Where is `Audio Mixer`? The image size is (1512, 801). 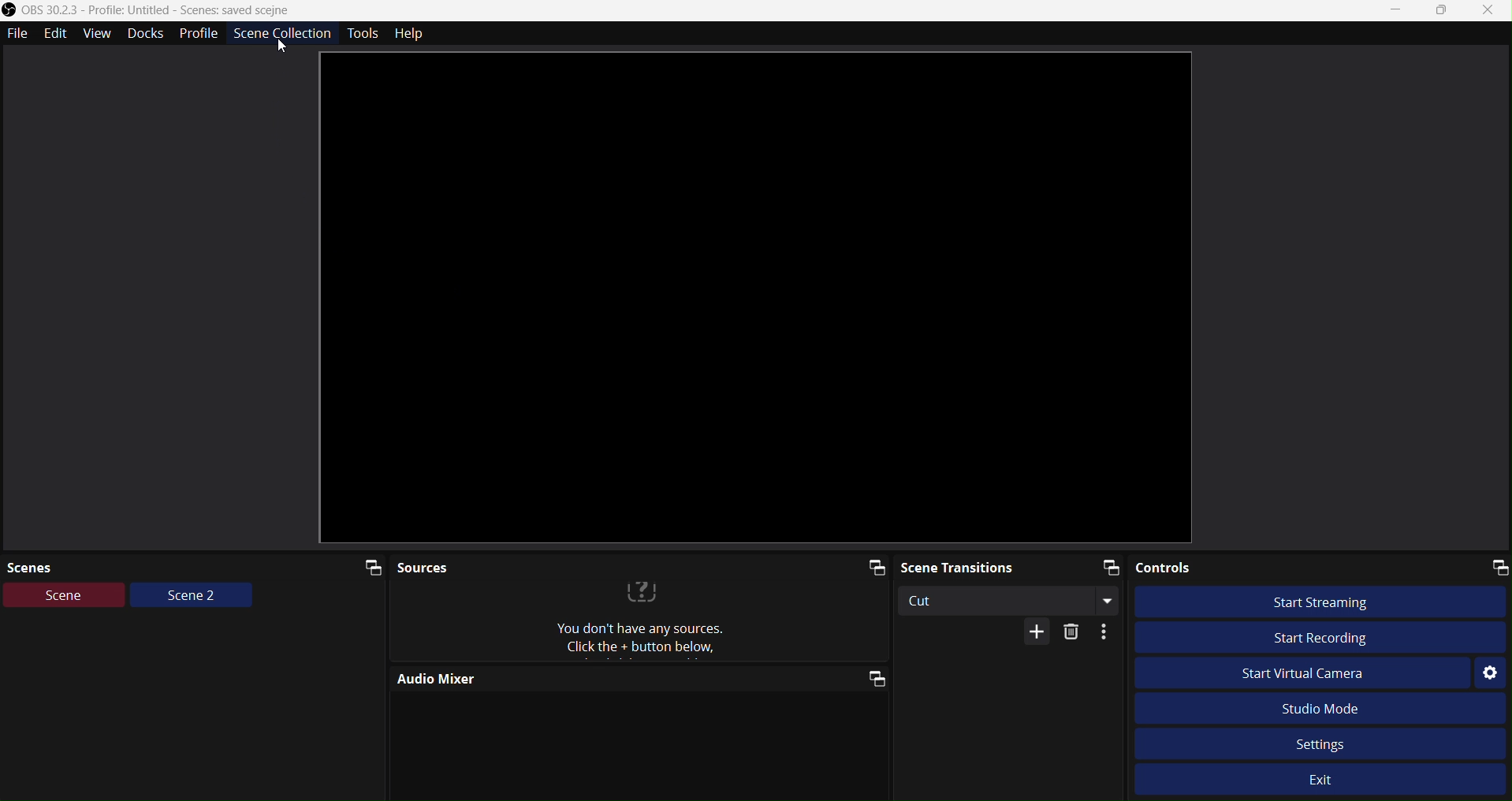
Audio Mixer is located at coordinates (638, 677).